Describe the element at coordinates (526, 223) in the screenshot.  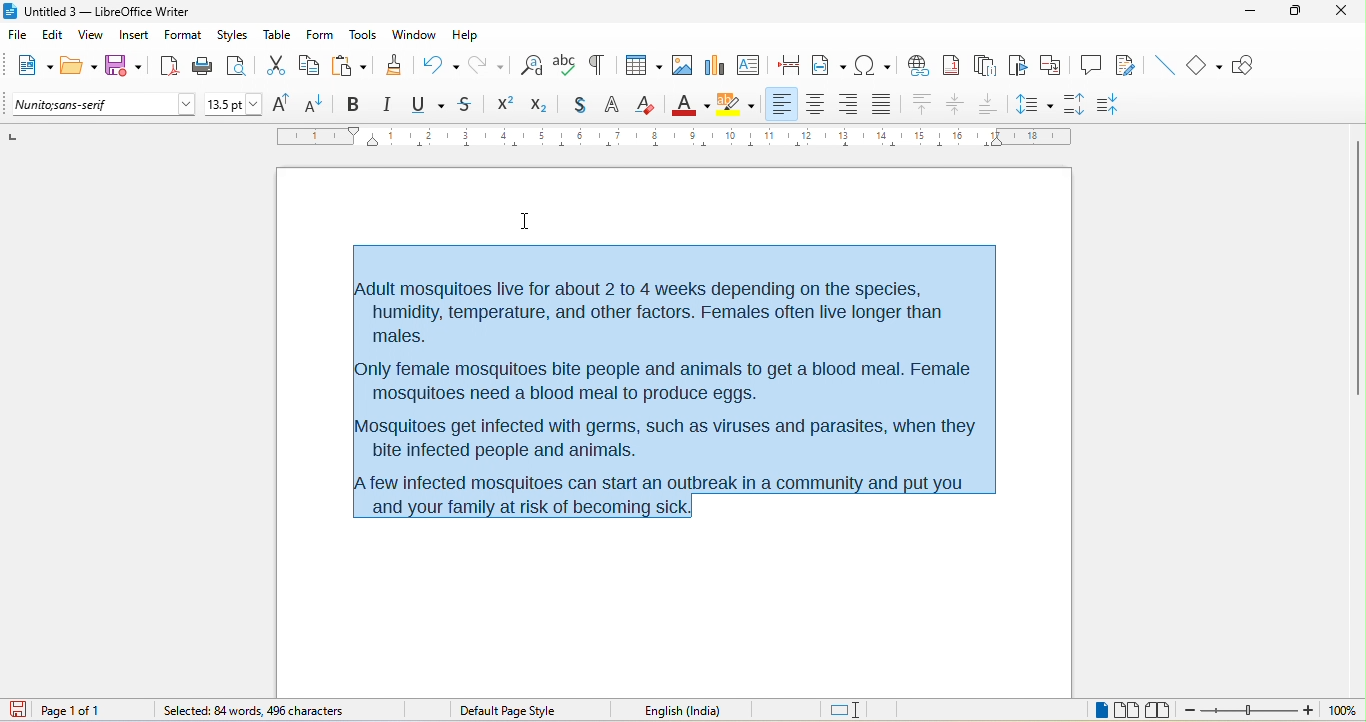
I see `cursor movement` at that location.